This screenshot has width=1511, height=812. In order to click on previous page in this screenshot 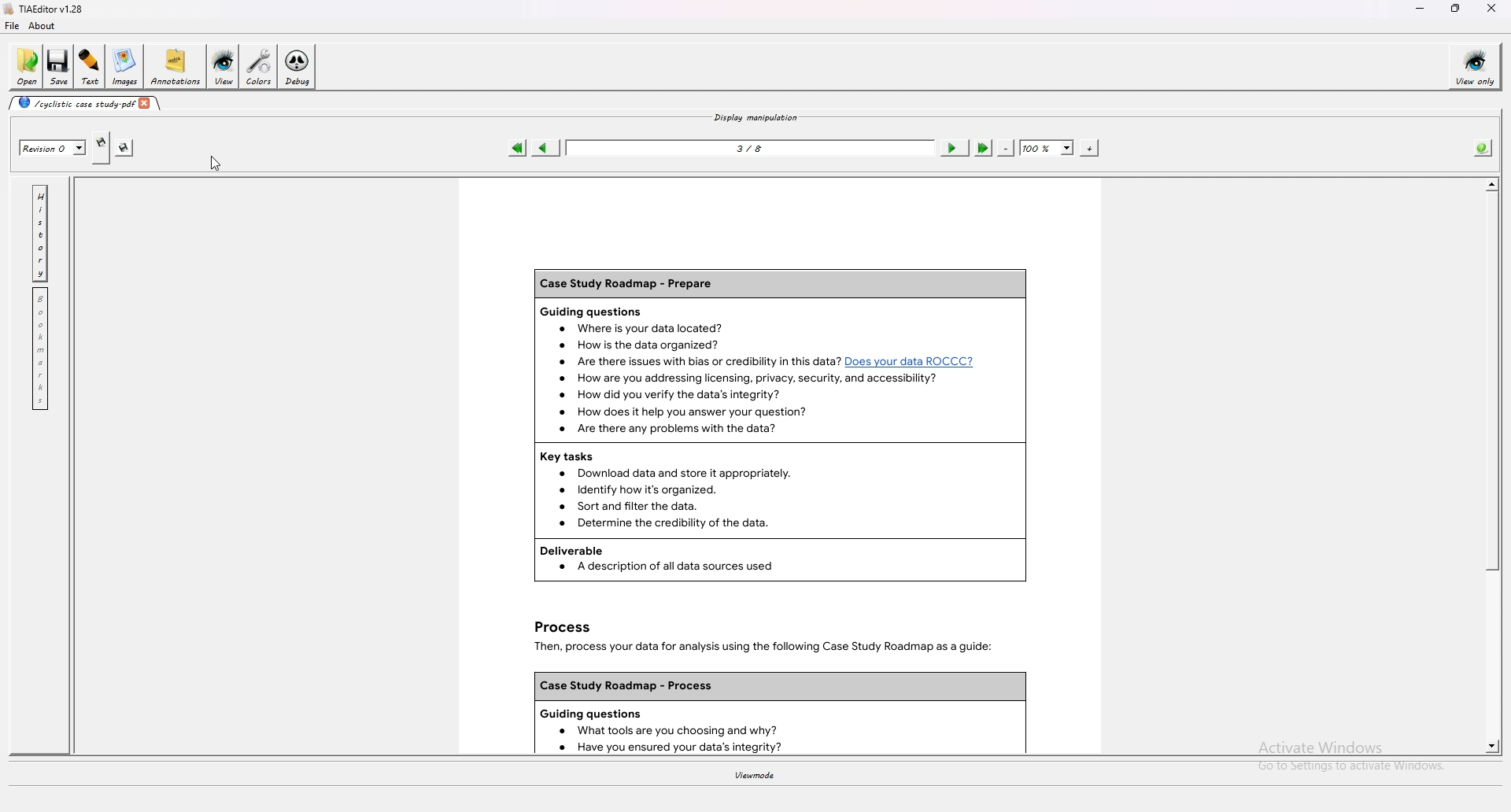, I will do `click(545, 148)`.